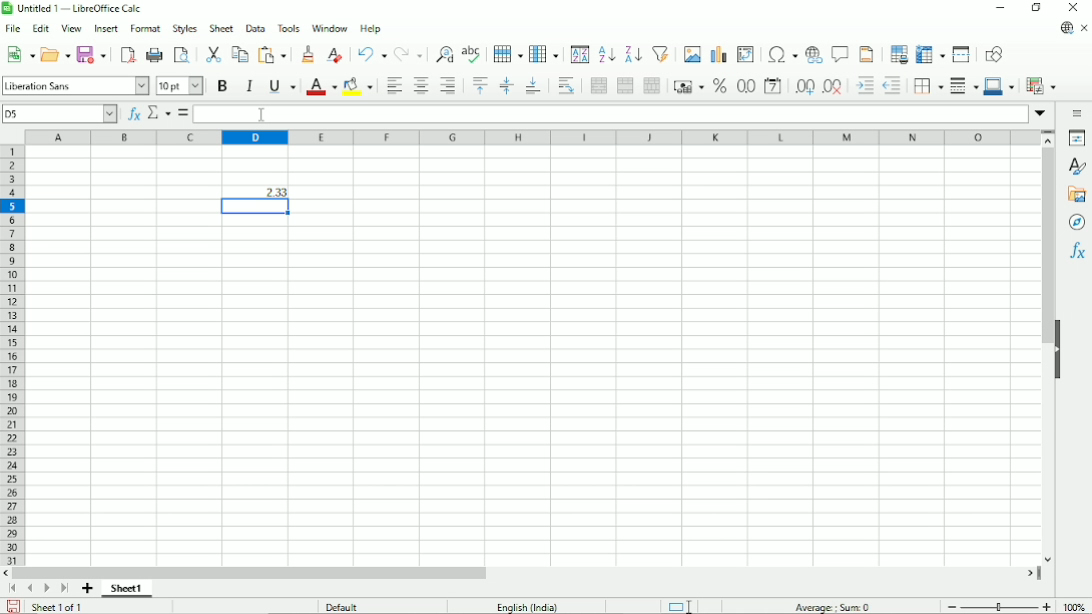 This screenshot has height=614, width=1092. What do you see at coordinates (567, 86) in the screenshot?
I see `Wrap text` at bounding box center [567, 86].